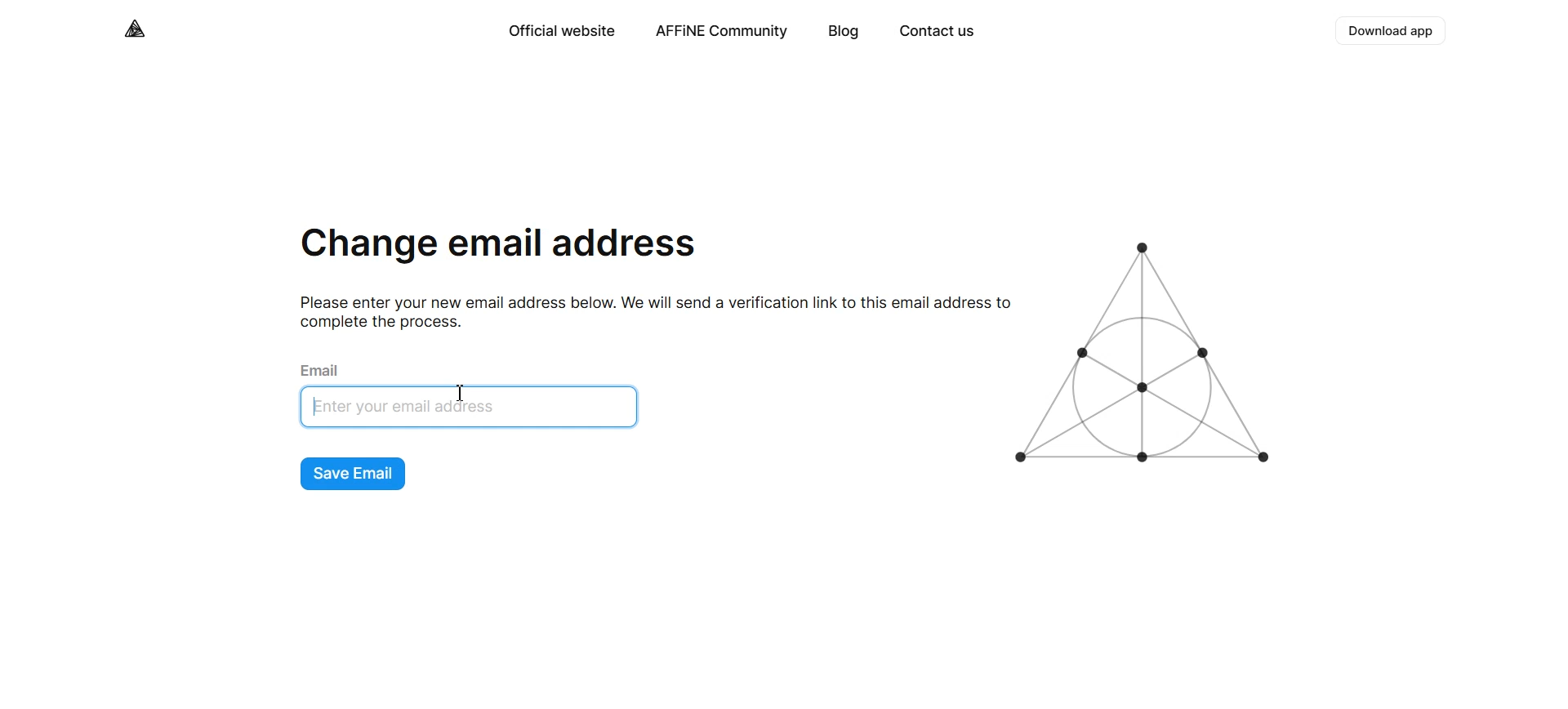  Describe the element at coordinates (648, 311) in the screenshot. I see `please enter your email` at that location.